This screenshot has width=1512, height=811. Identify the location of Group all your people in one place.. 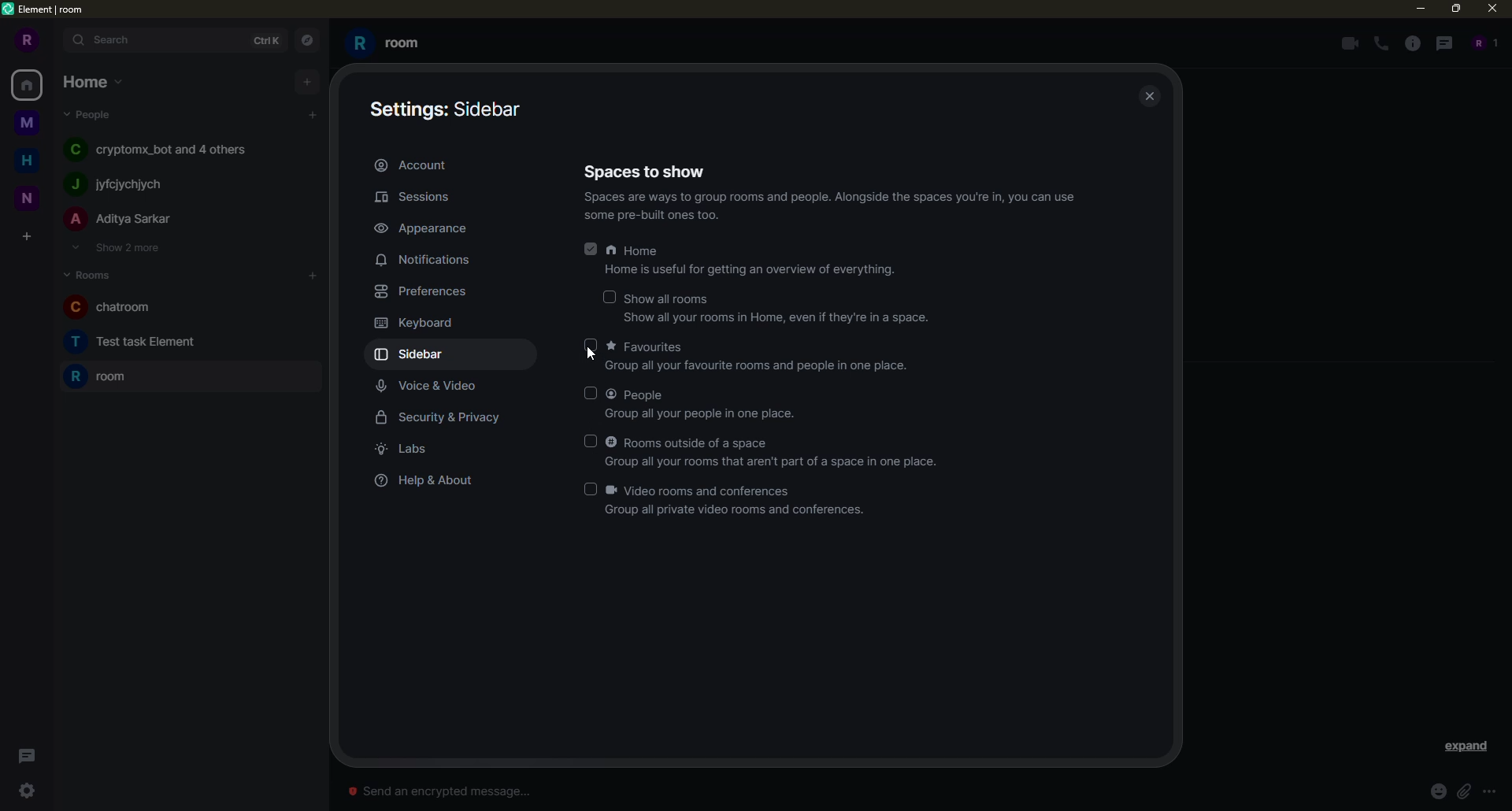
(684, 416).